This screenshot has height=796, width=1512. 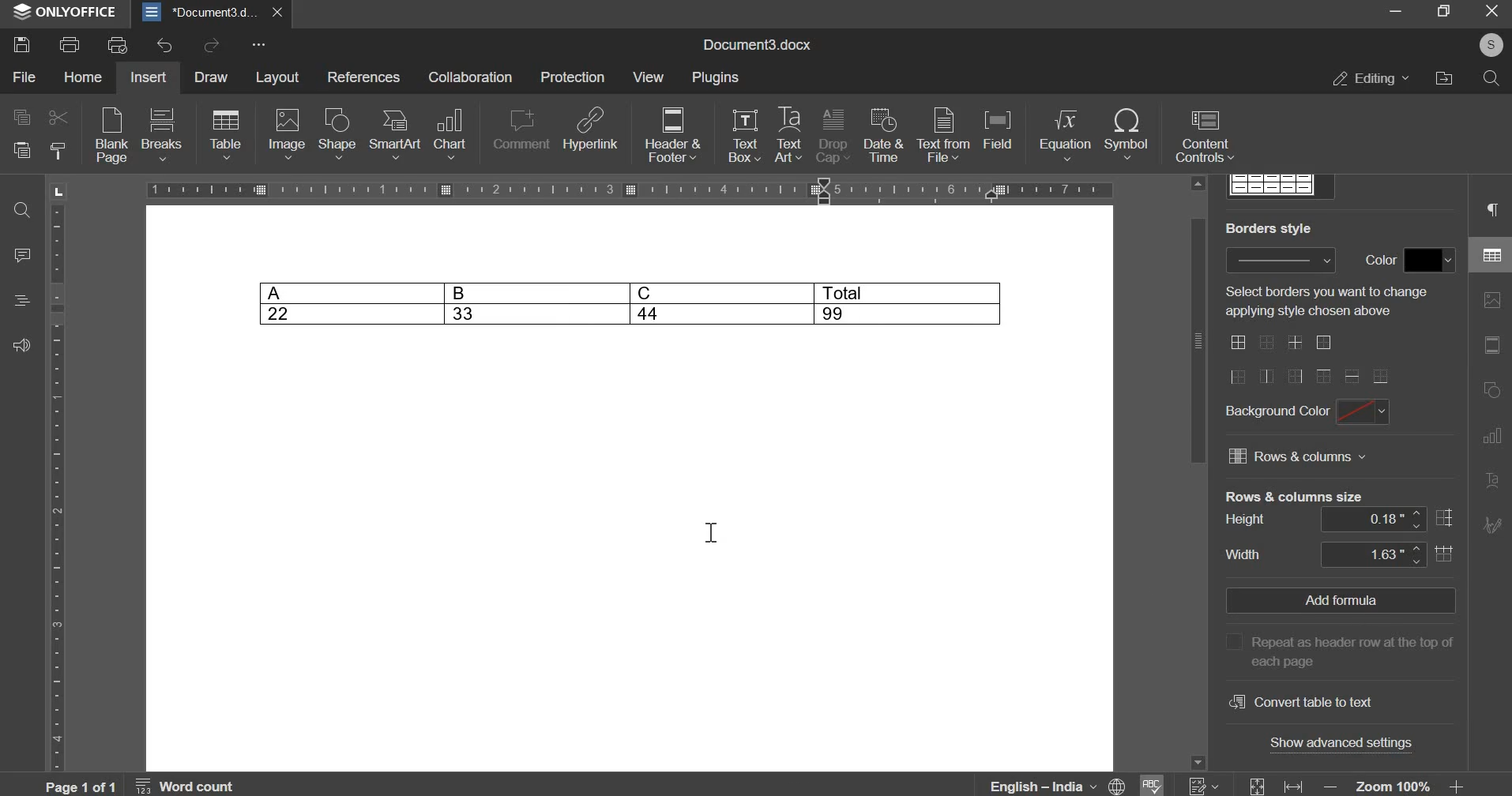 I want to click on page orientation, so click(x=57, y=191).